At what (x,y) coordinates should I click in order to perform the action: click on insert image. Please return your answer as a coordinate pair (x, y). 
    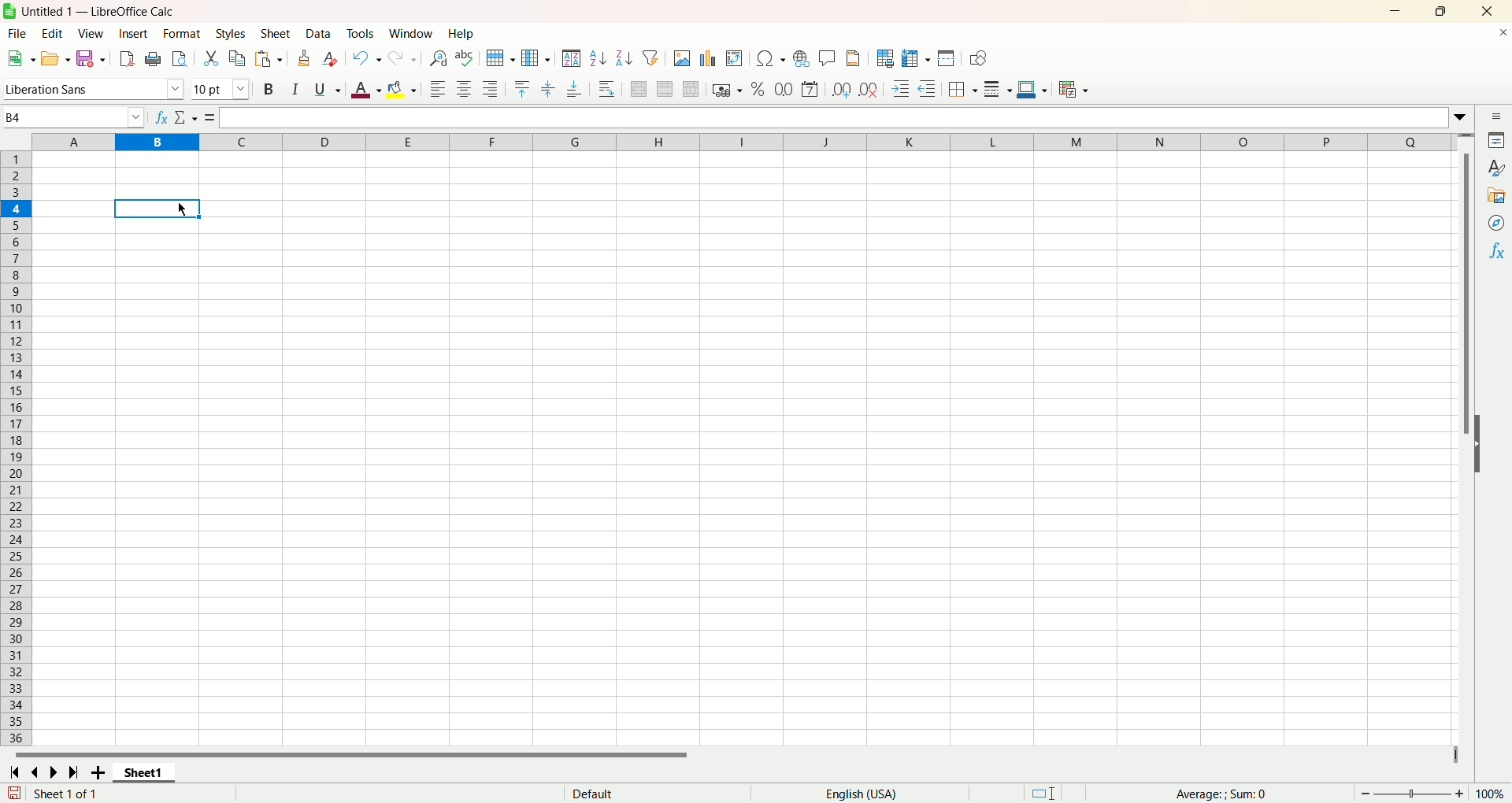
    Looking at the image, I should click on (682, 60).